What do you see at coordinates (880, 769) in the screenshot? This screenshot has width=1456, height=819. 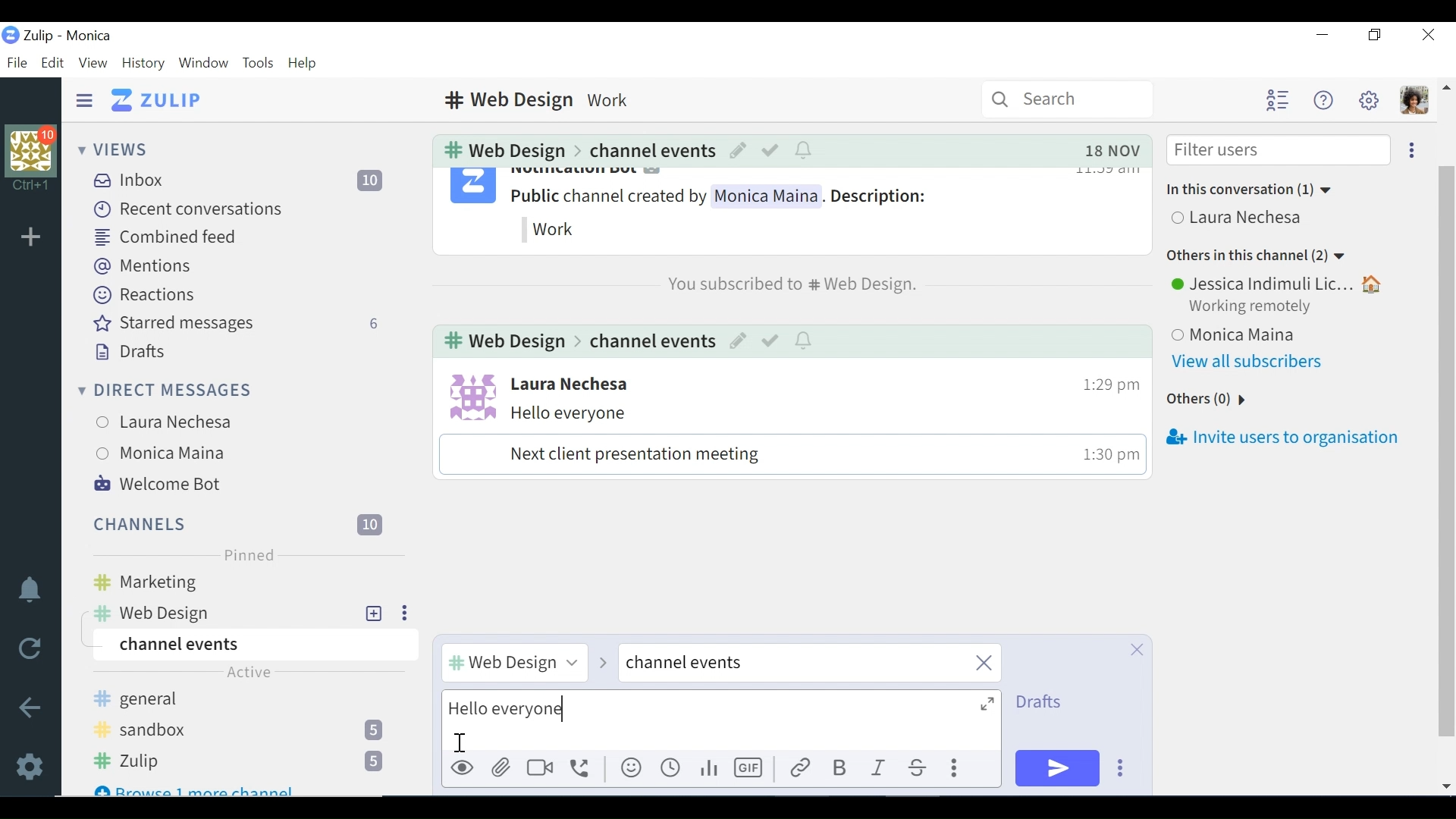 I see `Italics` at bounding box center [880, 769].